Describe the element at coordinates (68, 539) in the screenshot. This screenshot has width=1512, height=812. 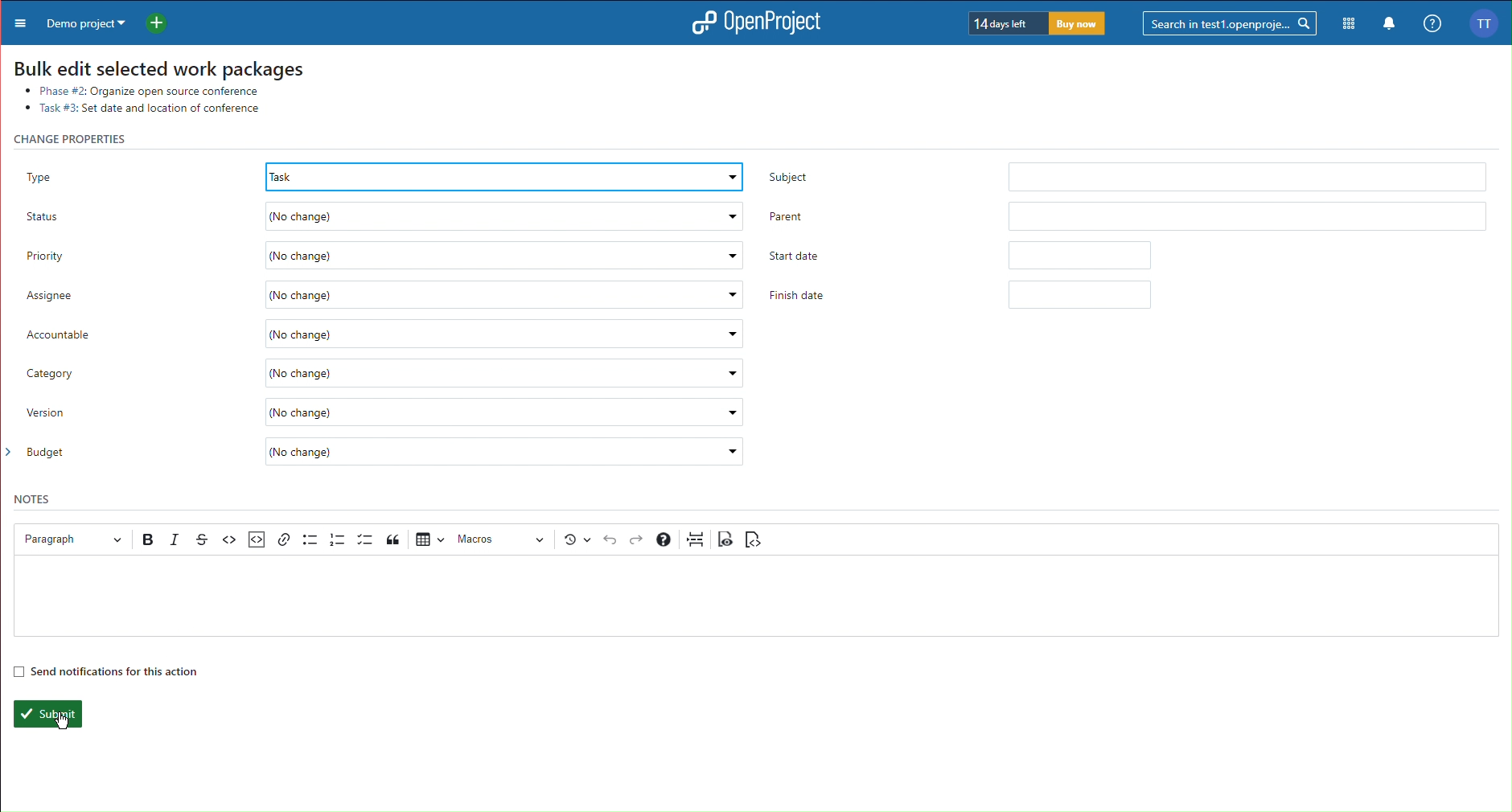
I see `Paragraph` at that location.